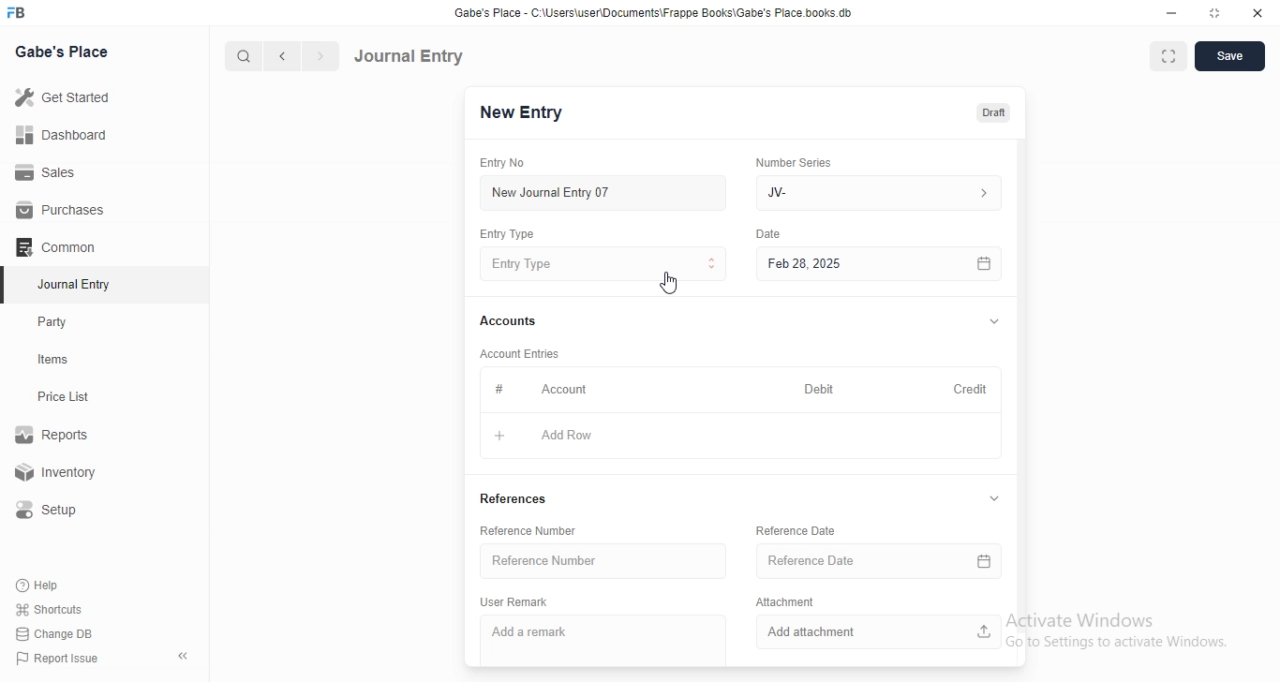 The width and height of the screenshot is (1280, 682). What do you see at coordinates (874, 561) in the screenshot?
I see `Reference Date ` at bounding box center [874, 561].